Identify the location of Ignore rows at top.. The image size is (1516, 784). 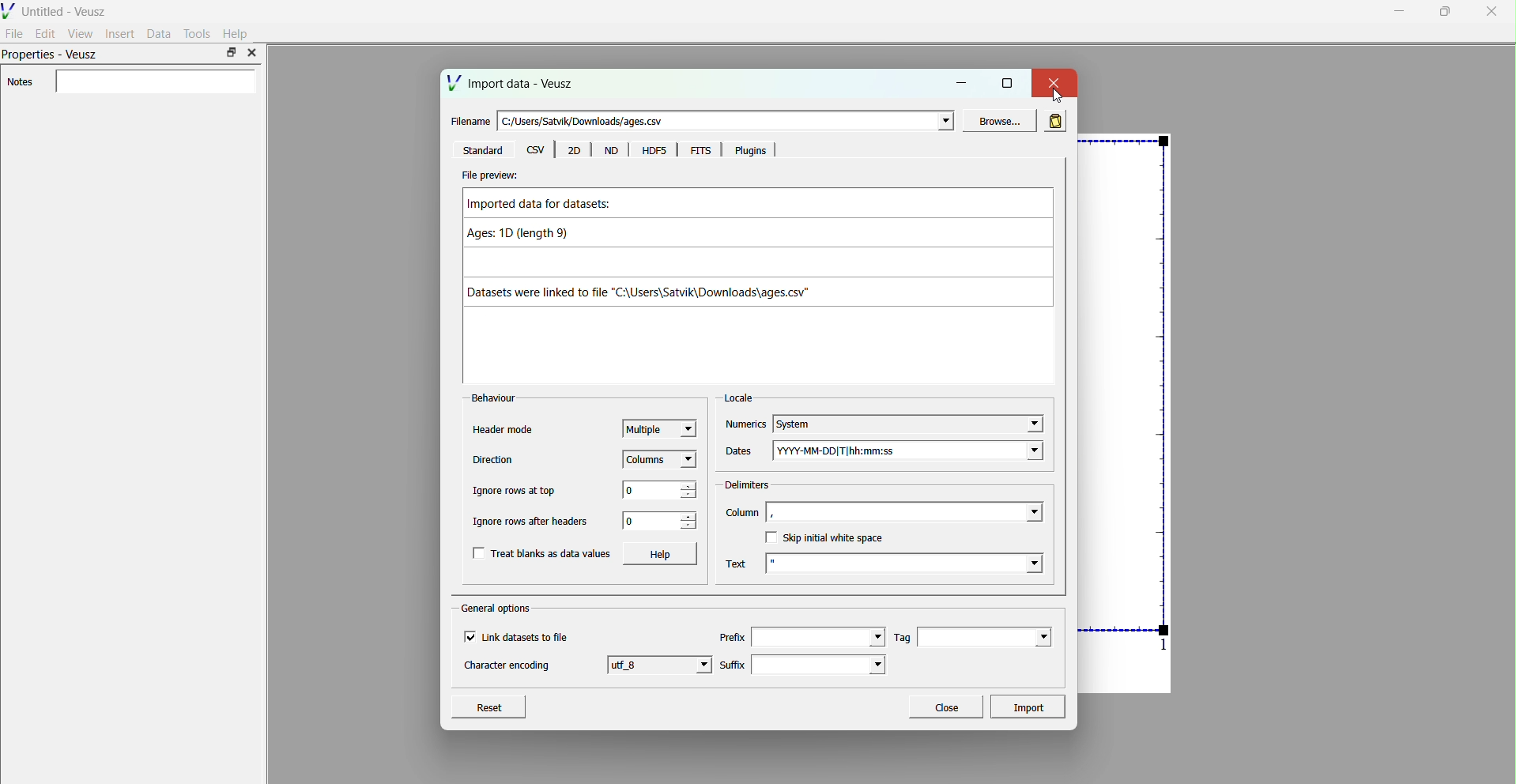
(517, 492).